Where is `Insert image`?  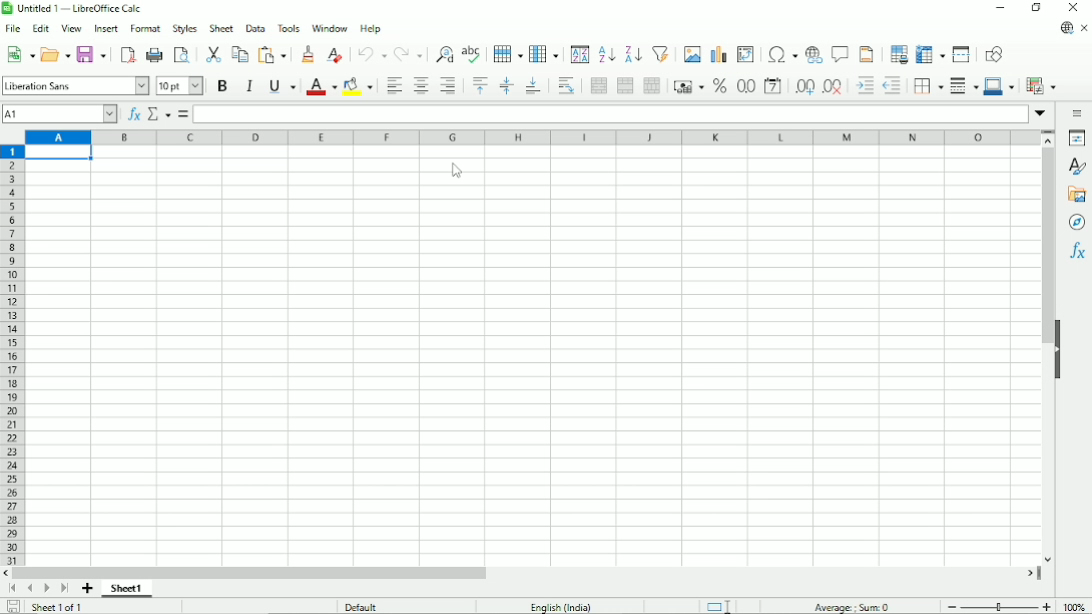
Insert image is located at coordinates (691, 53).